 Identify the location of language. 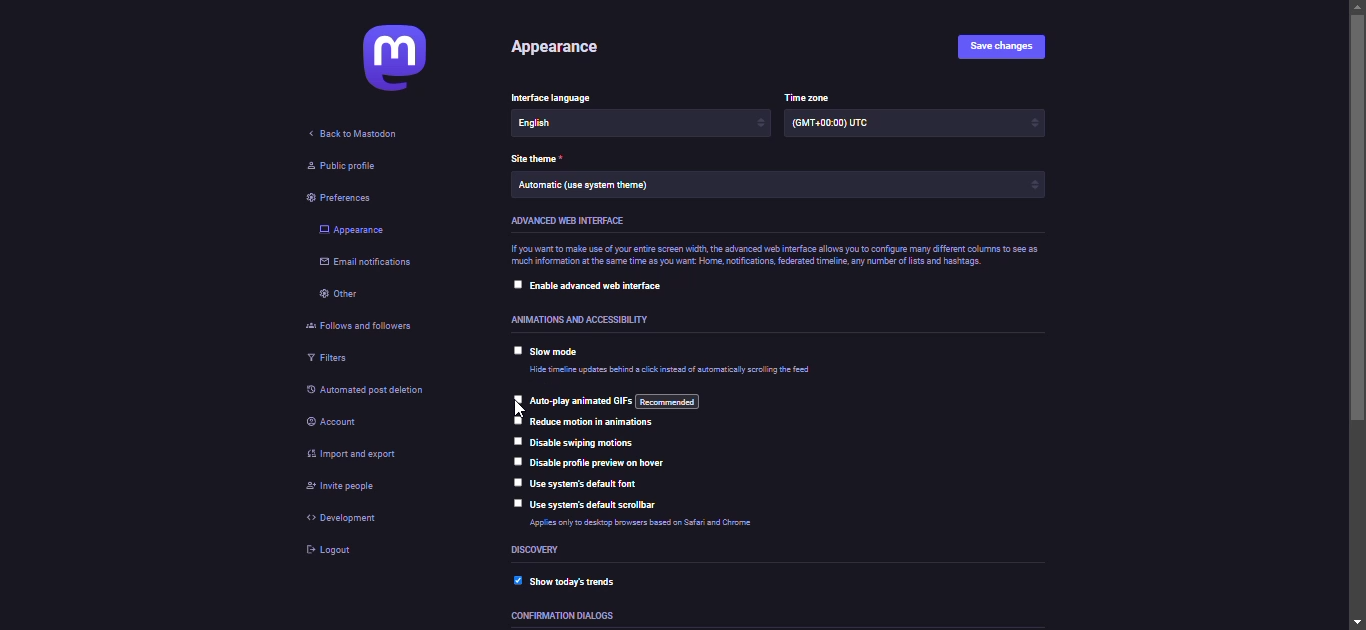
(558, 127).